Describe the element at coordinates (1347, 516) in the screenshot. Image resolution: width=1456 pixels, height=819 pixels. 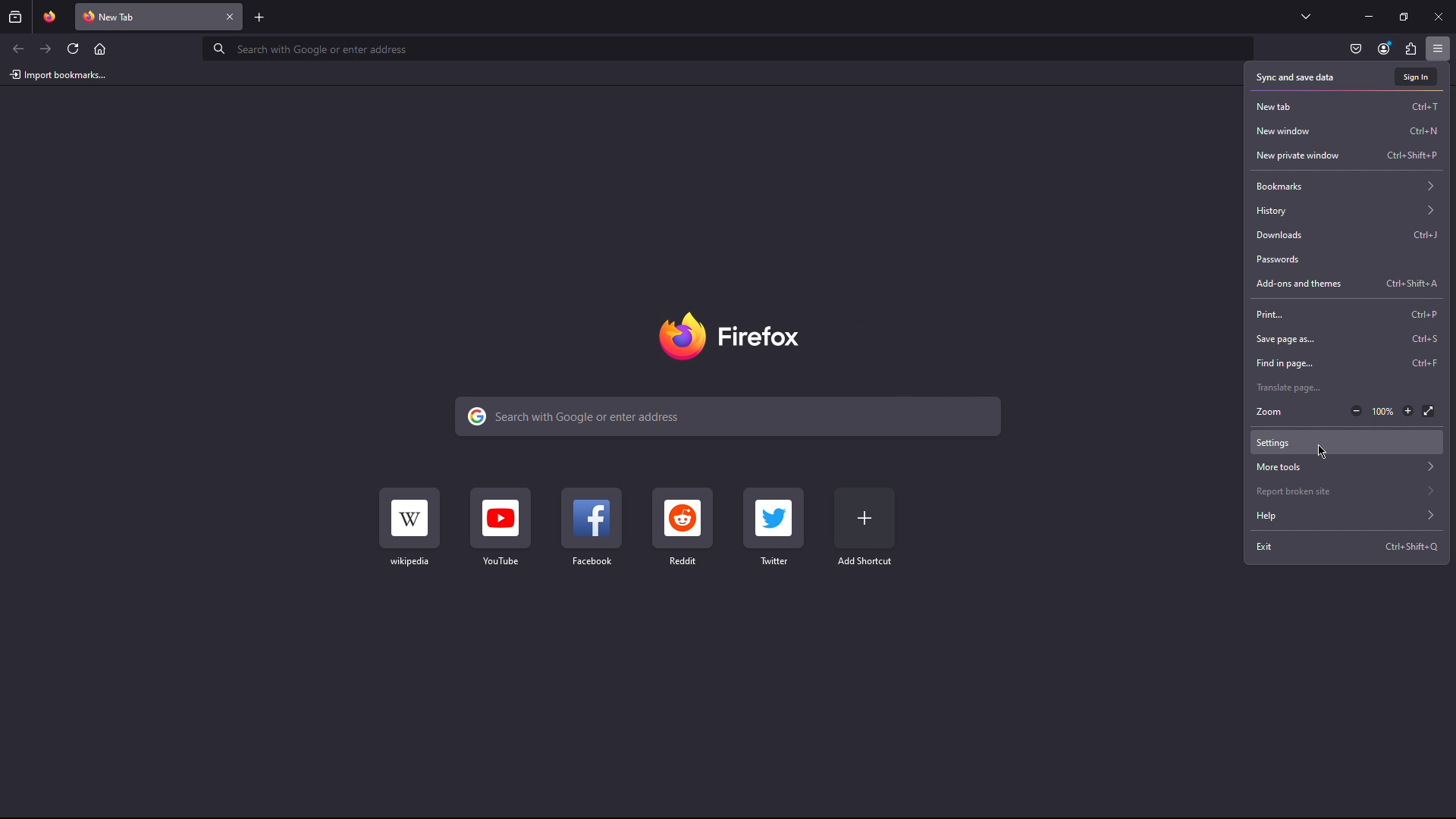
I see `Help` at that location.